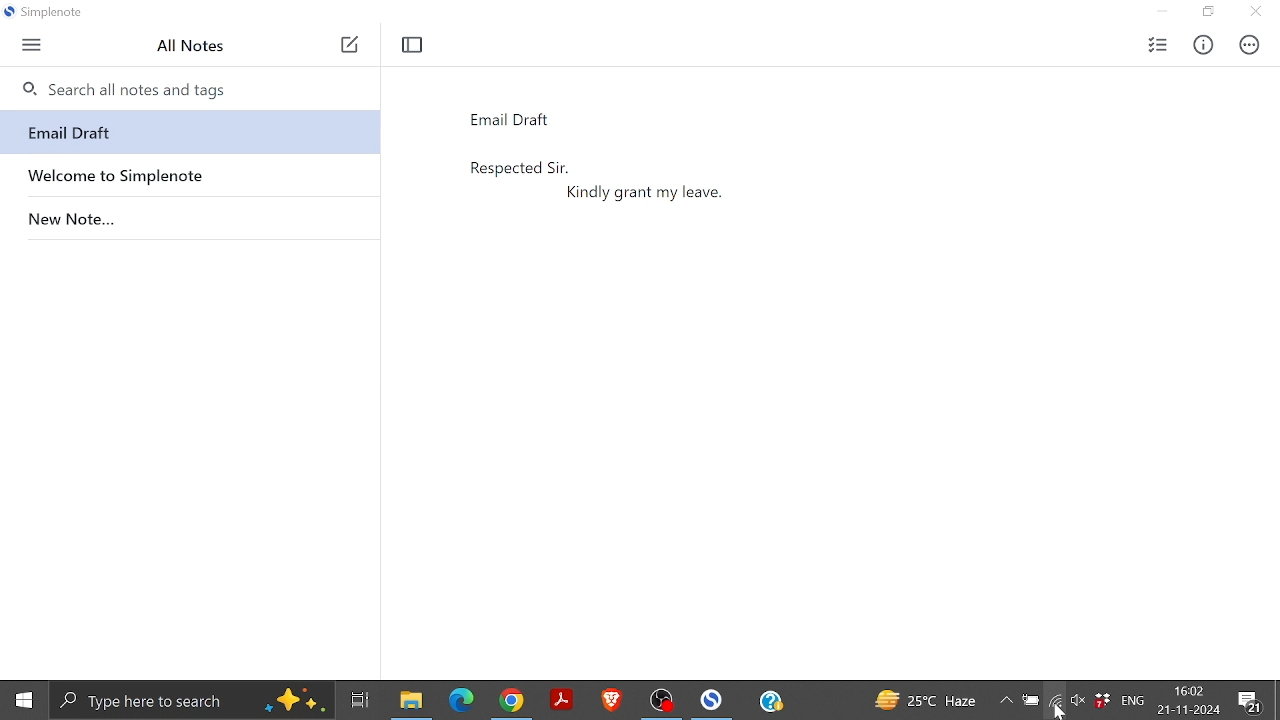 The image size is (1280, 720). Describe the element at coordinates (714, 699) in the screenshot. I see `Simplenote` at that location.